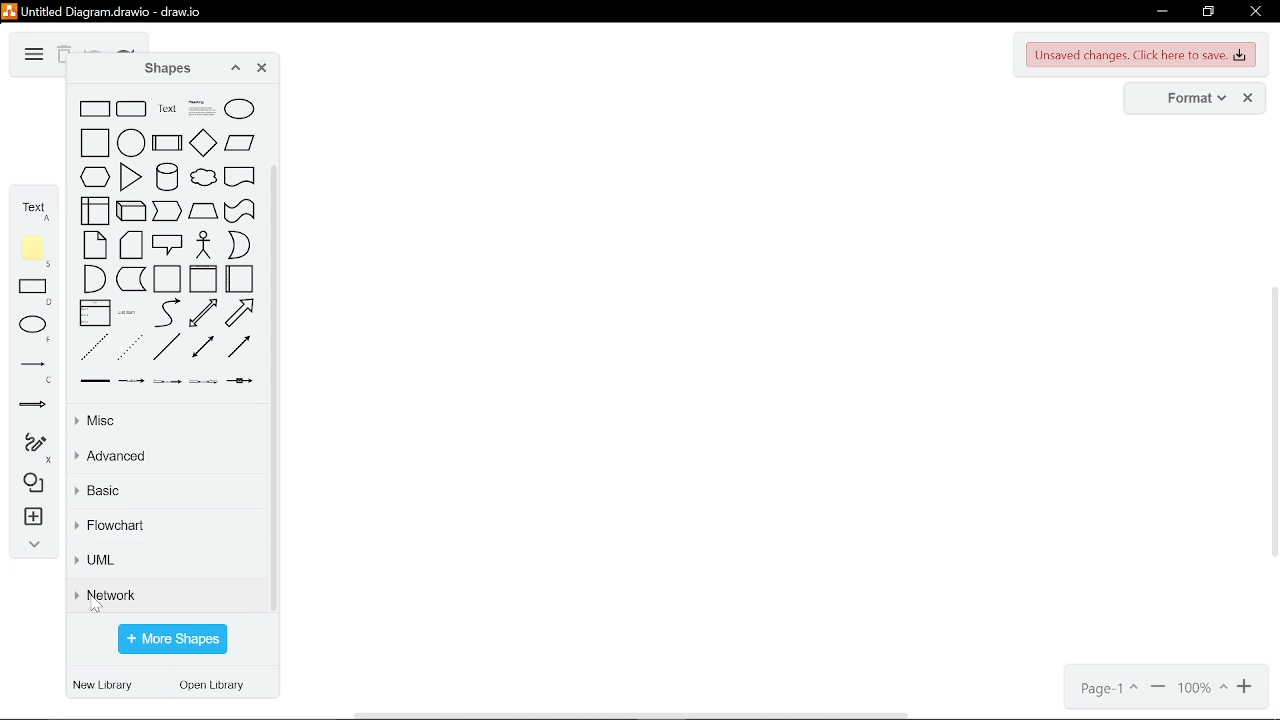 The width and height of the screenshot is (1280, 720). What do you see at coordinates (63, 56) in the screenshot?
I see `delete` at bounding box center [63, 56].